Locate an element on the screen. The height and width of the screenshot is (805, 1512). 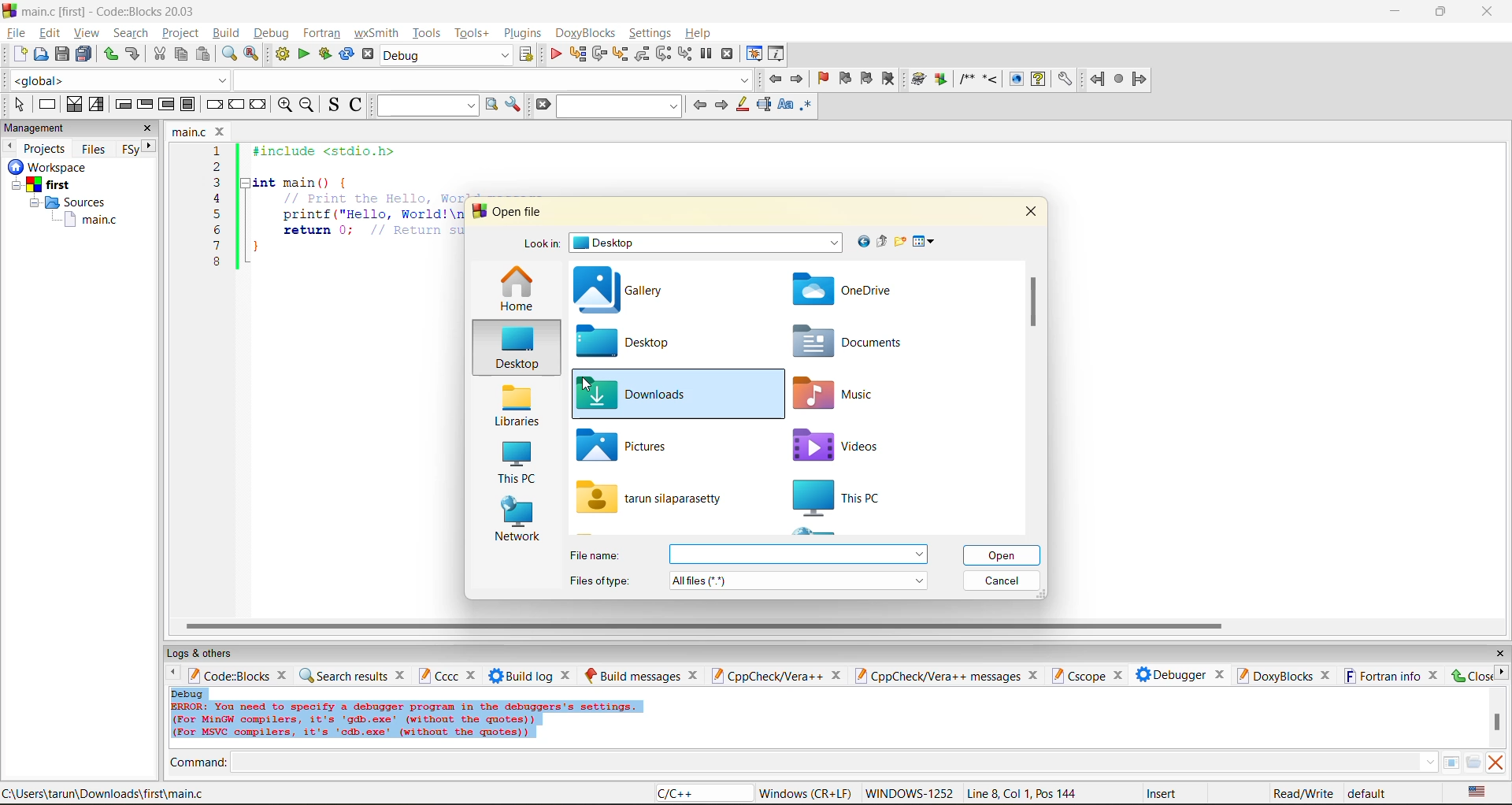
run is located at coordinates (304, 54).